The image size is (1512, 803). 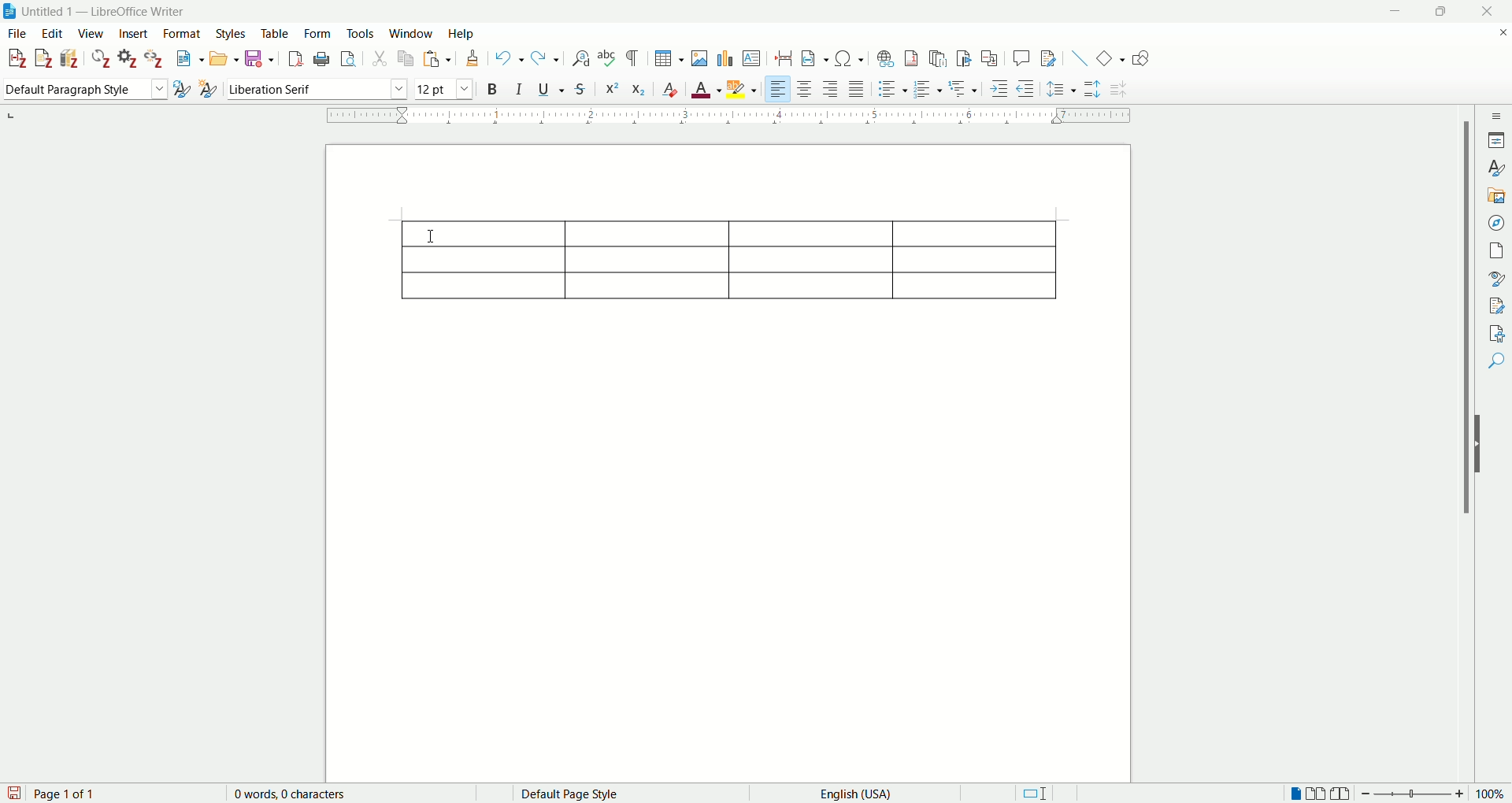 I want to click on unordered list, so click(x=894, y=89).